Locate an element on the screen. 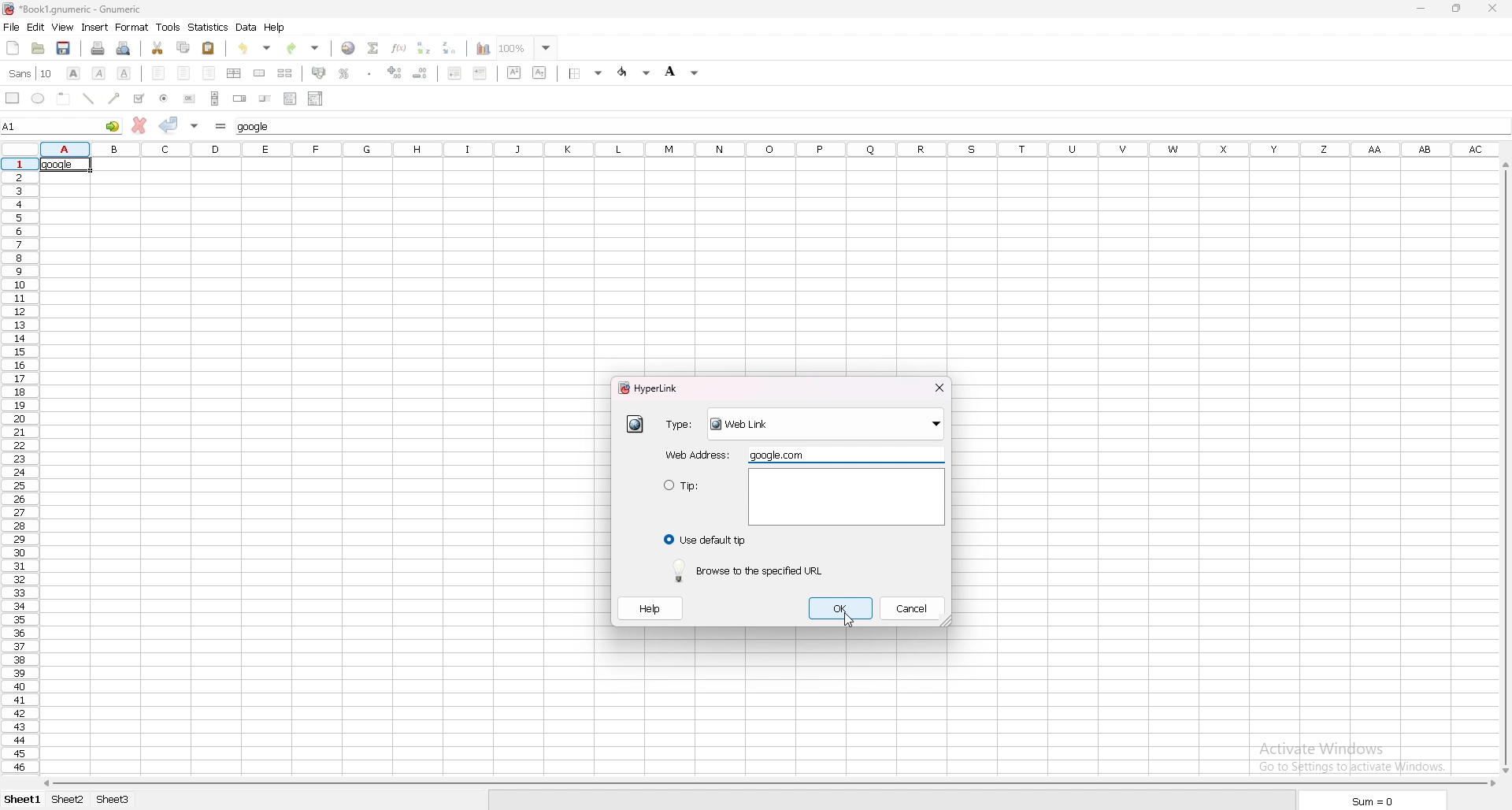  sort ascending is located at coordinates (424, 47).